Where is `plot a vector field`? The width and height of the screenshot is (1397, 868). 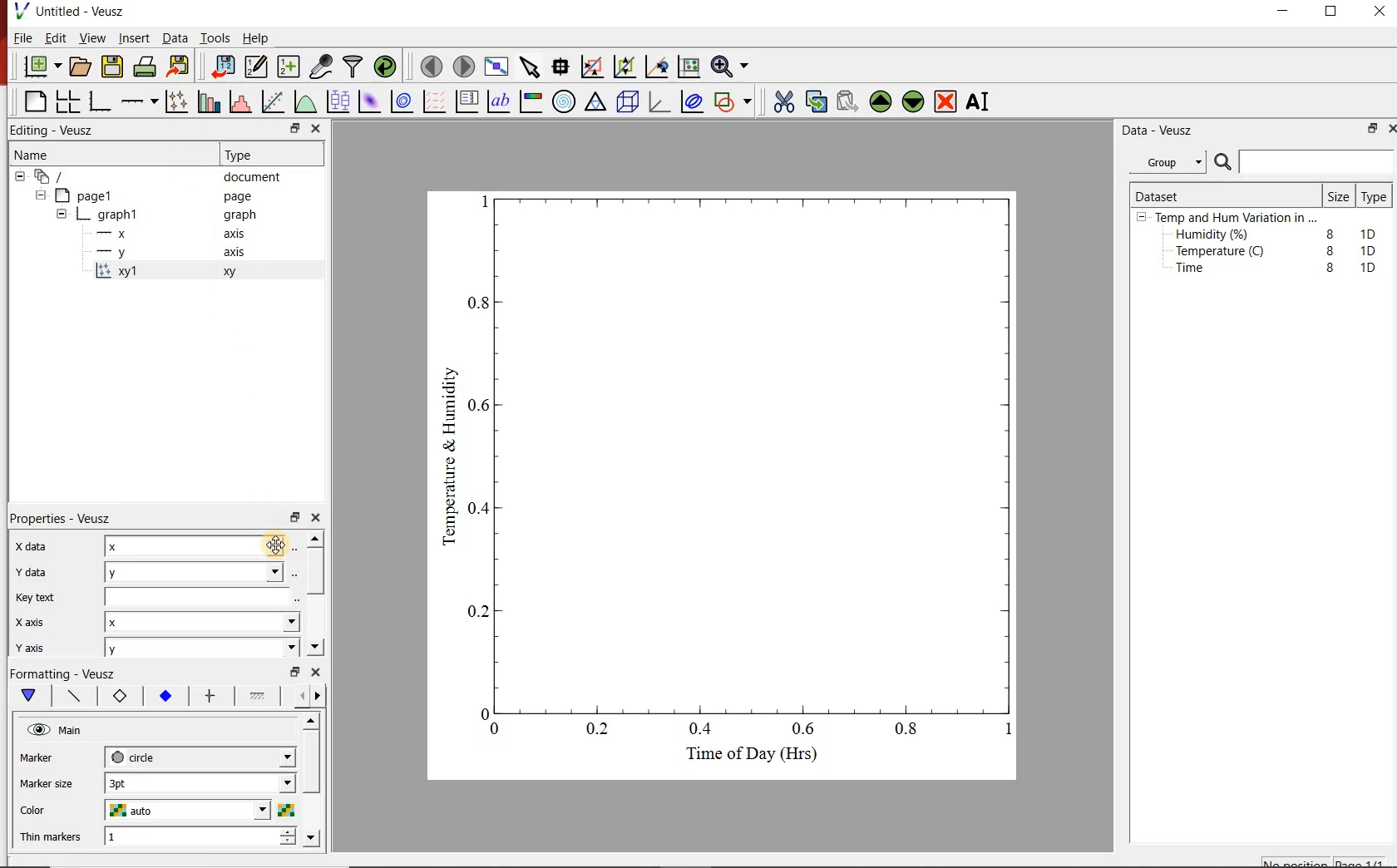
plot a vector field is located at coordinates (435, 101).